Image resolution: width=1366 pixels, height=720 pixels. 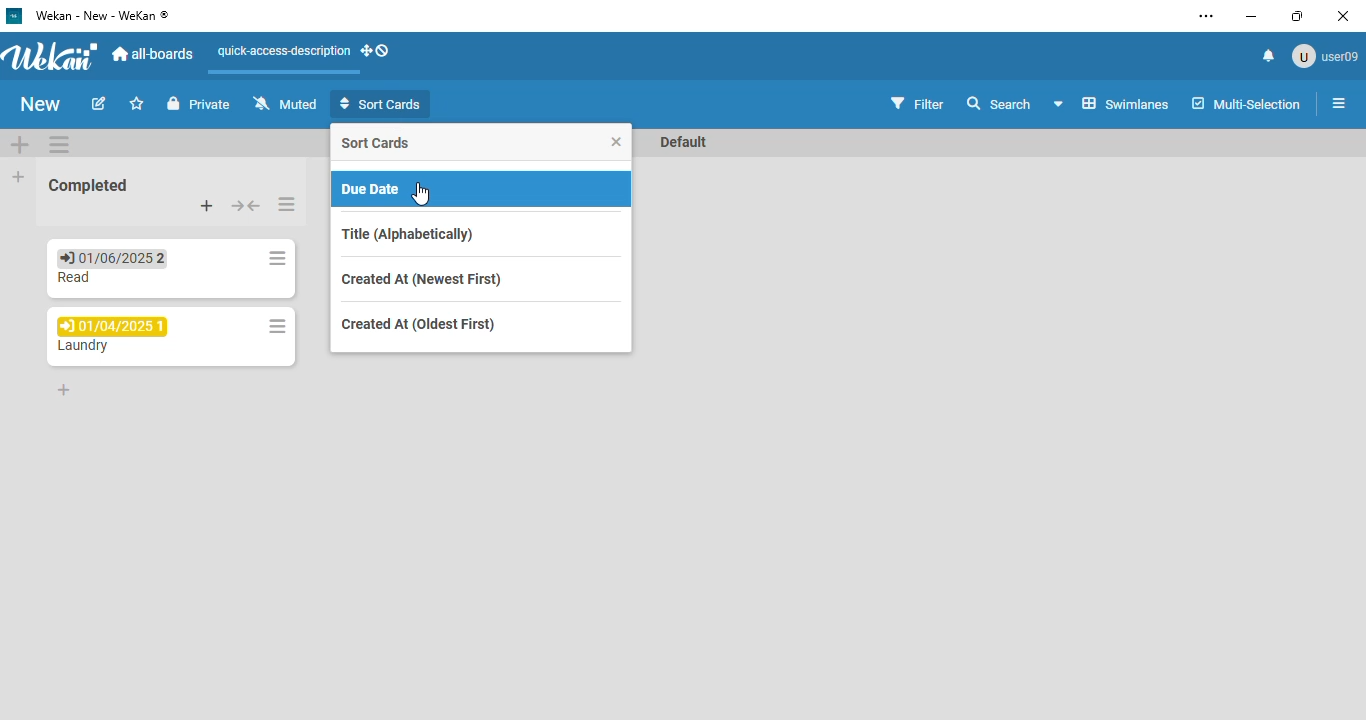 I want to click on add card to top of list, so click(x=207, y=205).